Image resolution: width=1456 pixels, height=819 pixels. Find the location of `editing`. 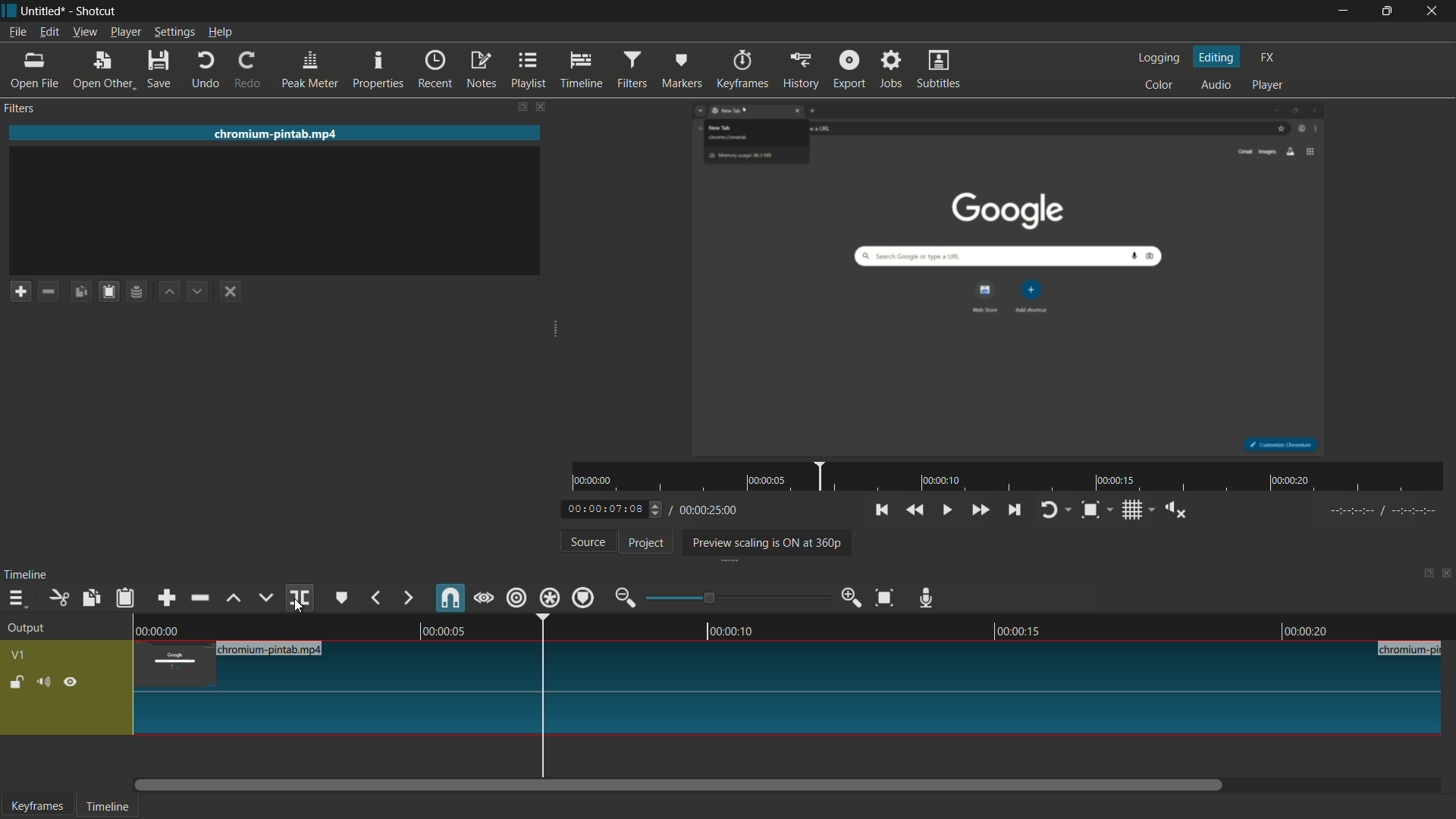

editing is located at coordinates (1218, 58).